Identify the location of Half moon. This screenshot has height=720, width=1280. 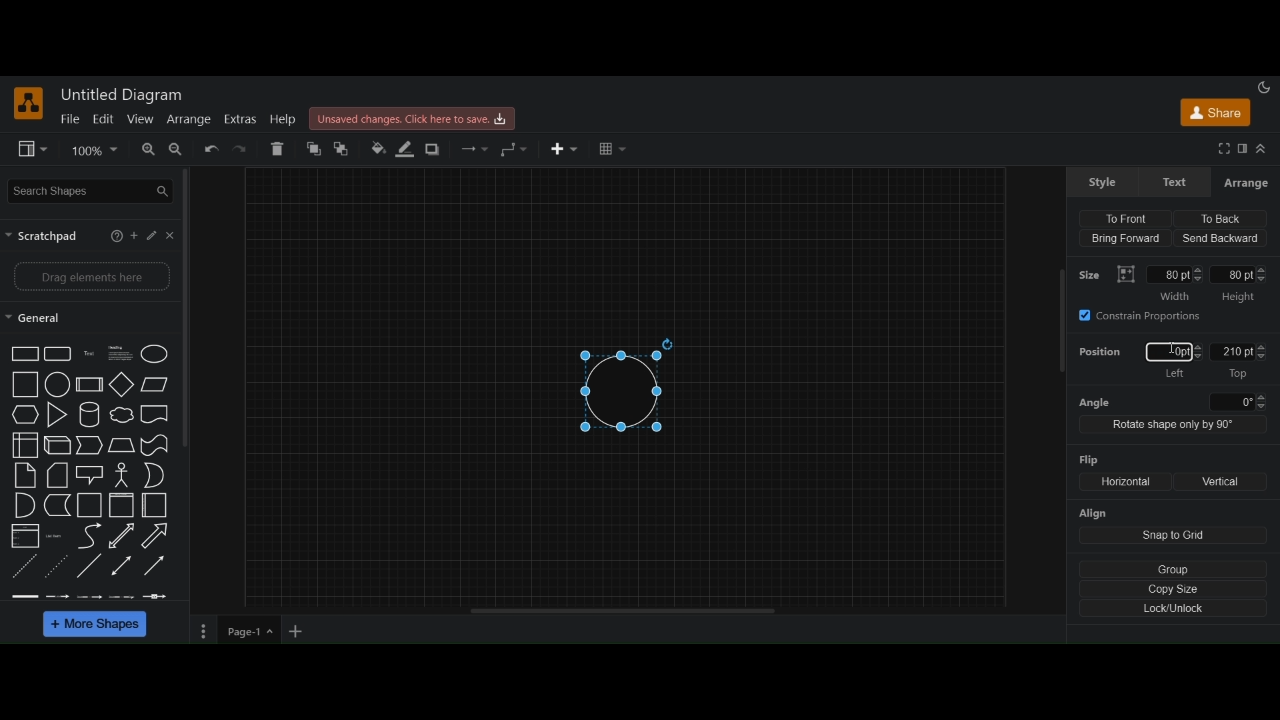
(158, 475).